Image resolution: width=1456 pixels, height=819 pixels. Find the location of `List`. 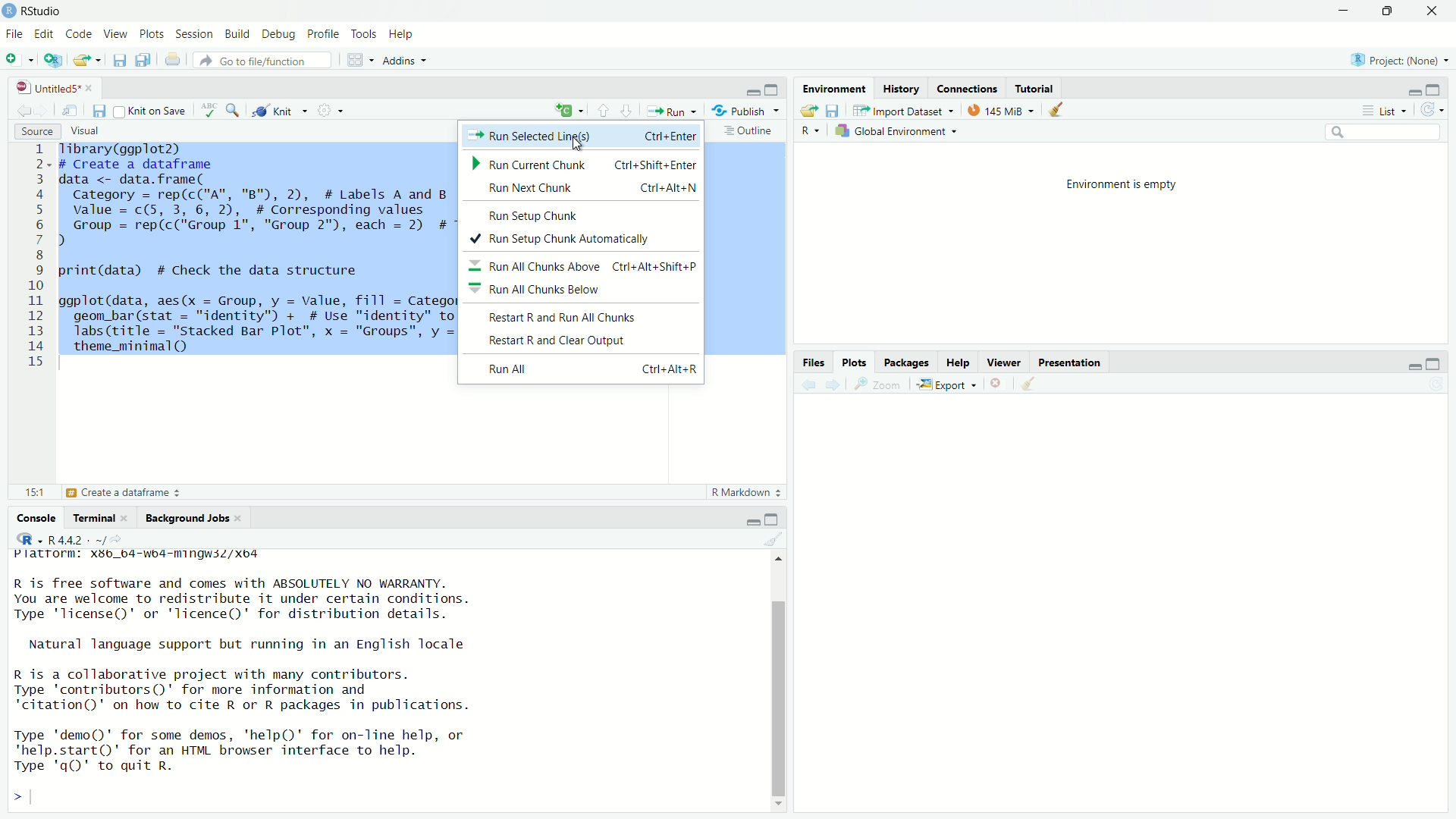

List is located at coordinates (1385, 109).